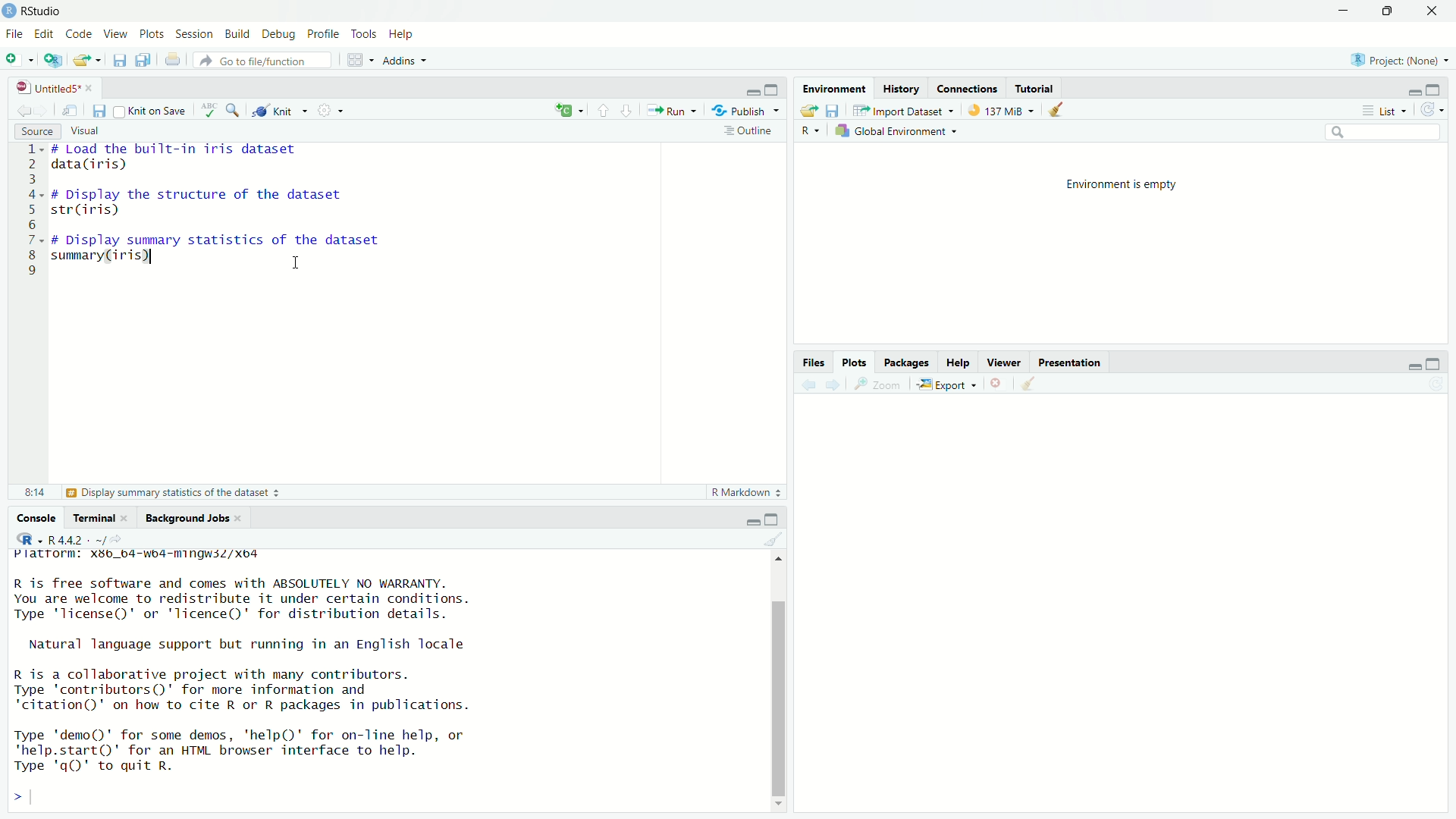  What do you see at coordinates (78, 34) in the screenshot?
I see `Code` at bounding box center [78, 34].